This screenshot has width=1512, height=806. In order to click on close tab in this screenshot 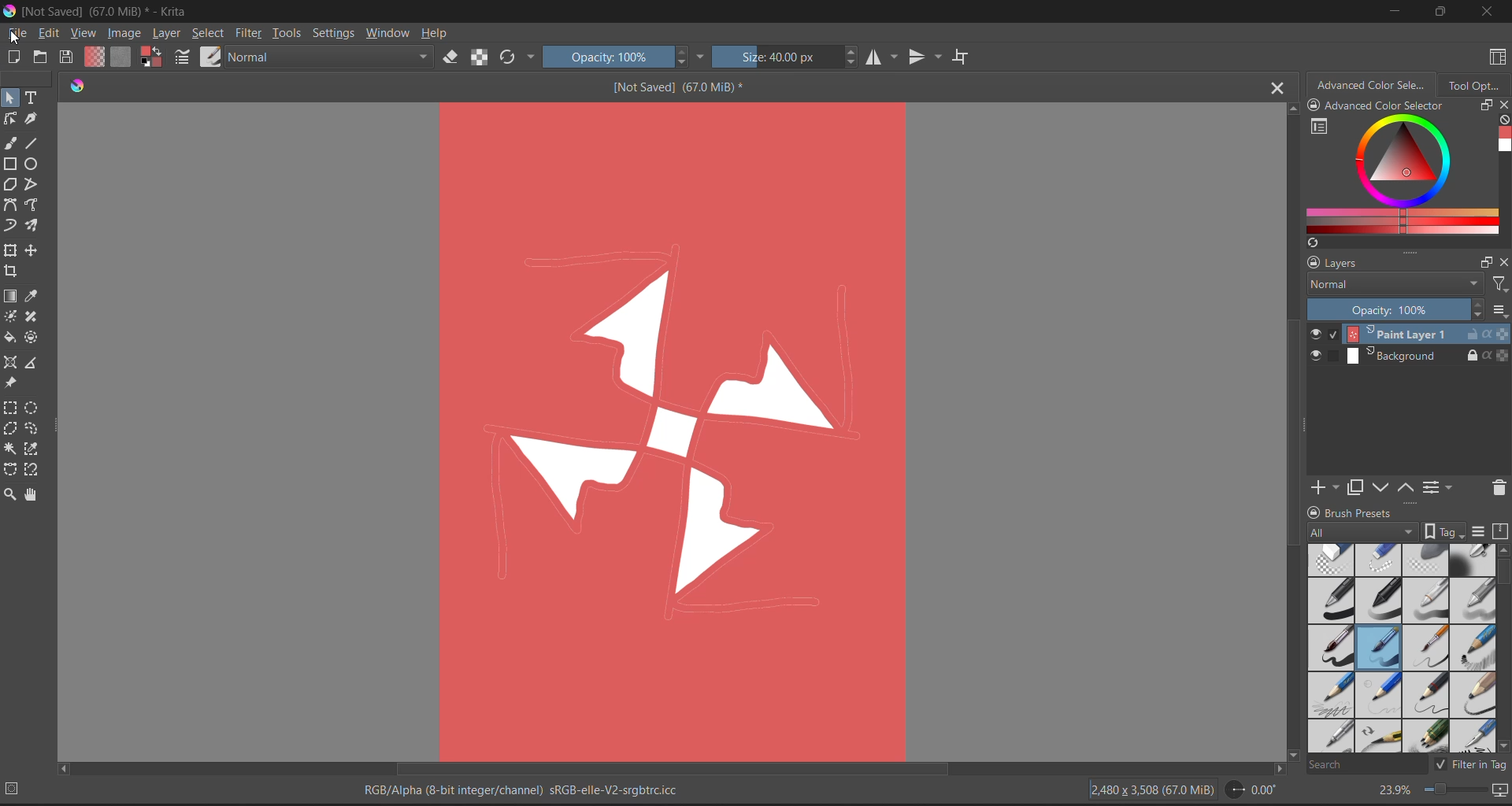, I will do `click(1273, 91)`.